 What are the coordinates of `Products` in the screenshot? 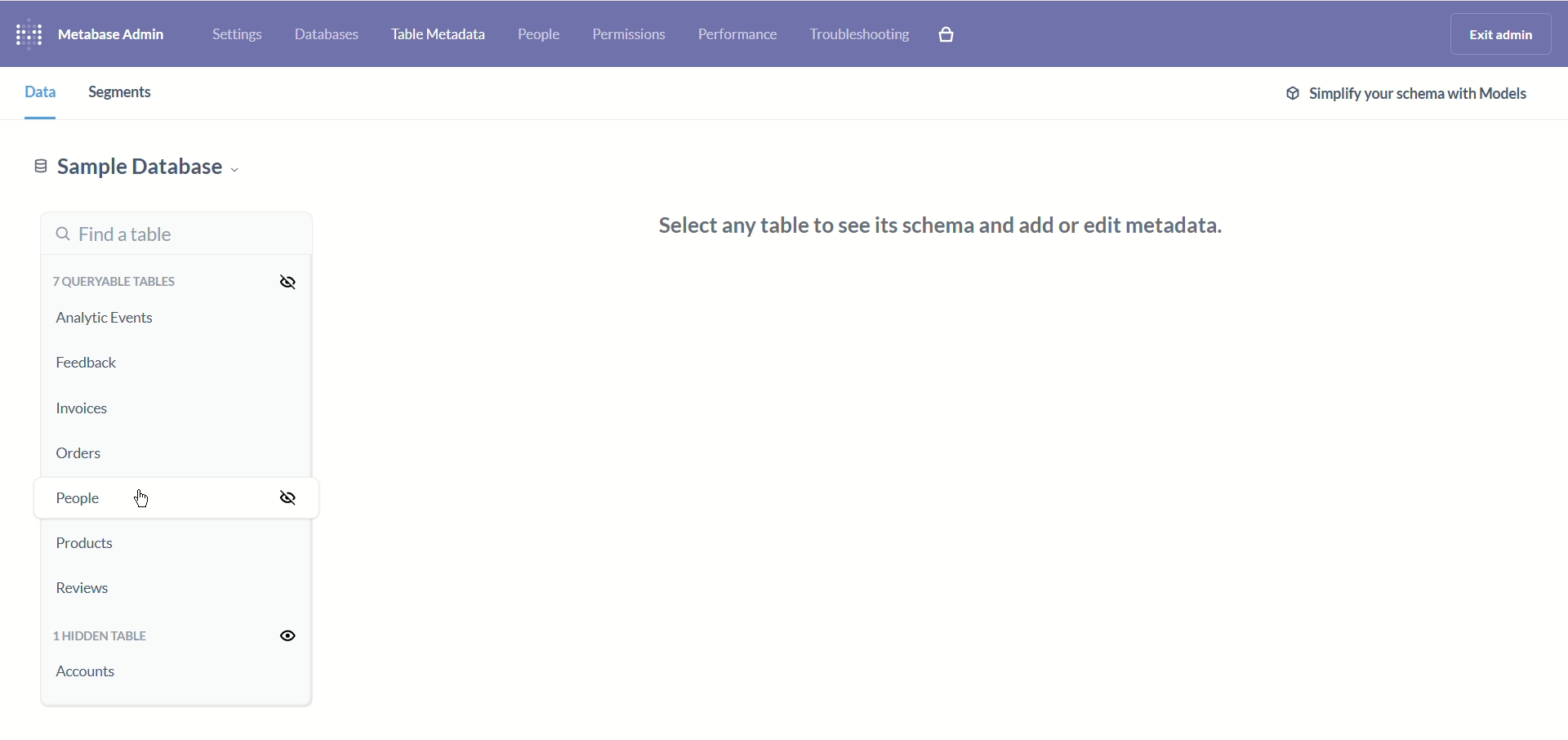 It's located at (117, 540).